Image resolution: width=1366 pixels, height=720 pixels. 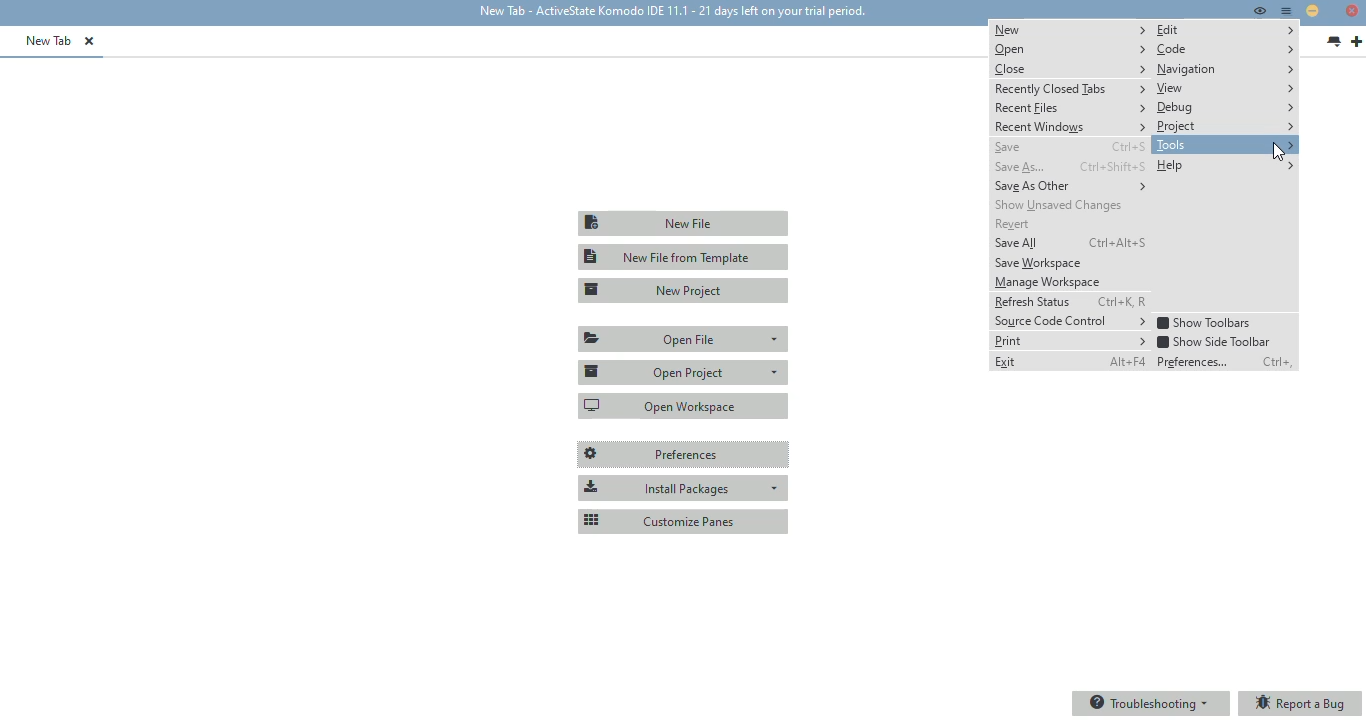 What do you see at coordinates (1287, 11) in the screenshot?
I see `menu` at bounding box center [1287, 11].